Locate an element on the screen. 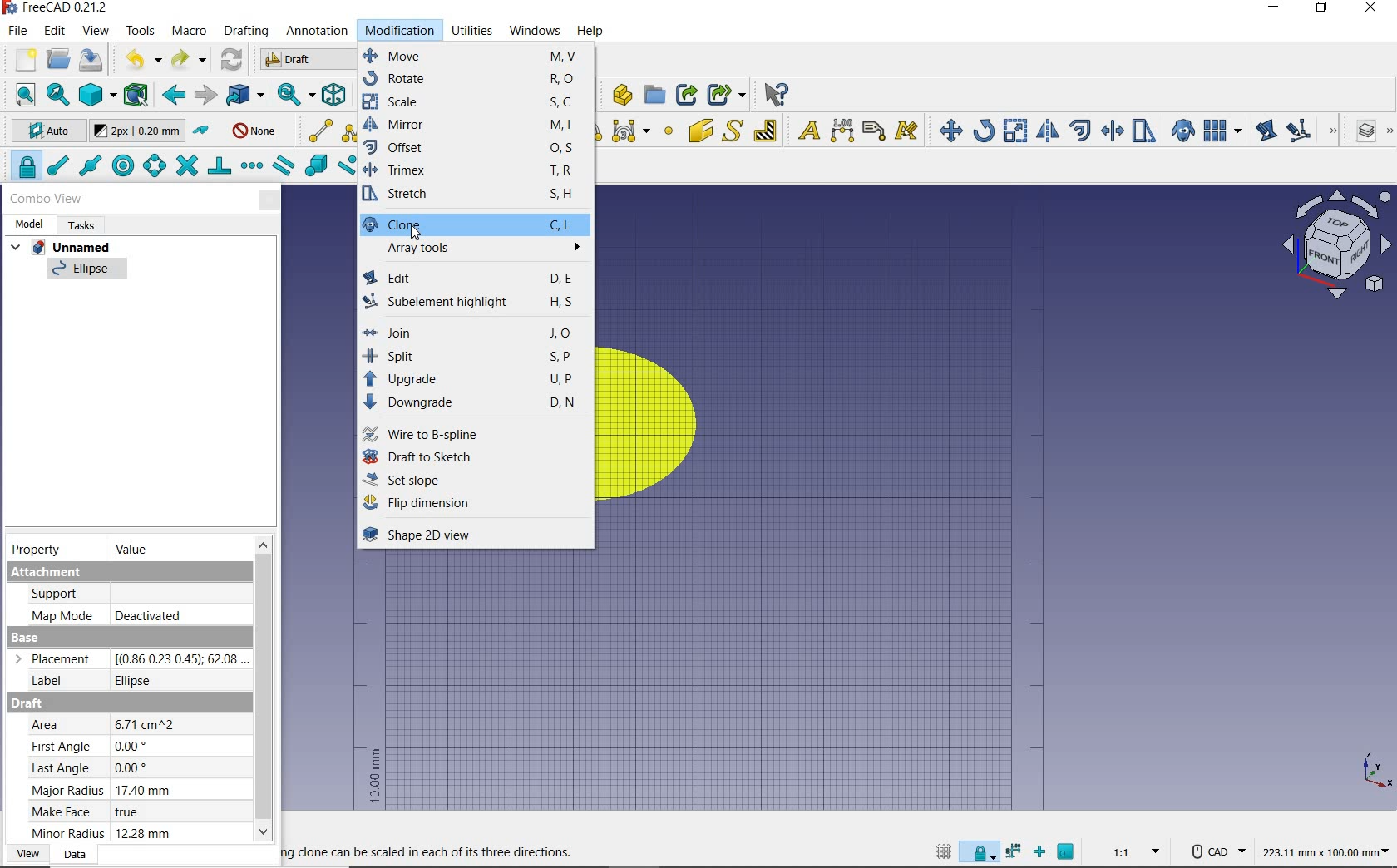 The height and width of the screenshot is (868, 1397). dimension is located at coordinates (842, 131).